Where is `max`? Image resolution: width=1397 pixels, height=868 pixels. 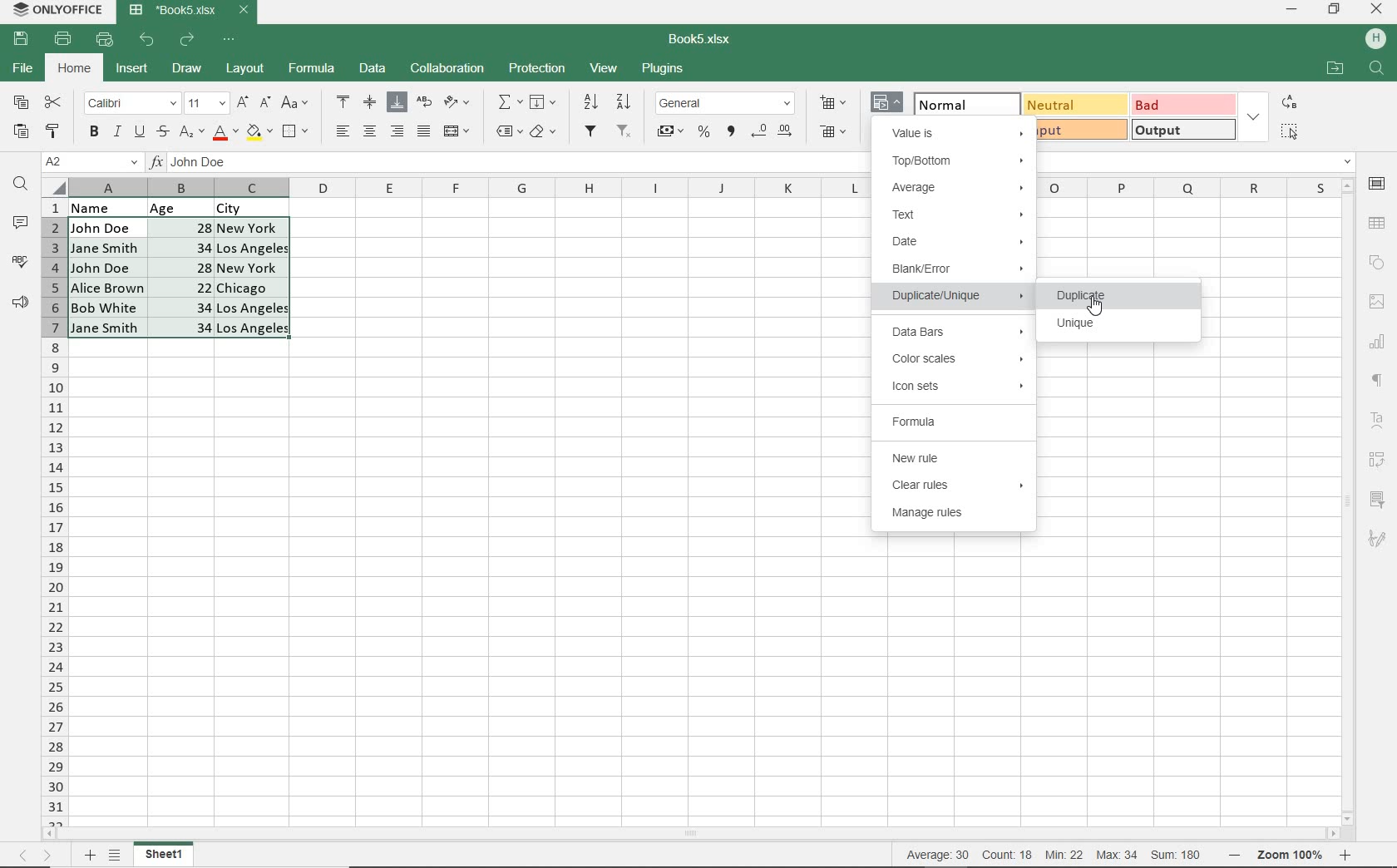
max is located at coordinates (1116, 855).